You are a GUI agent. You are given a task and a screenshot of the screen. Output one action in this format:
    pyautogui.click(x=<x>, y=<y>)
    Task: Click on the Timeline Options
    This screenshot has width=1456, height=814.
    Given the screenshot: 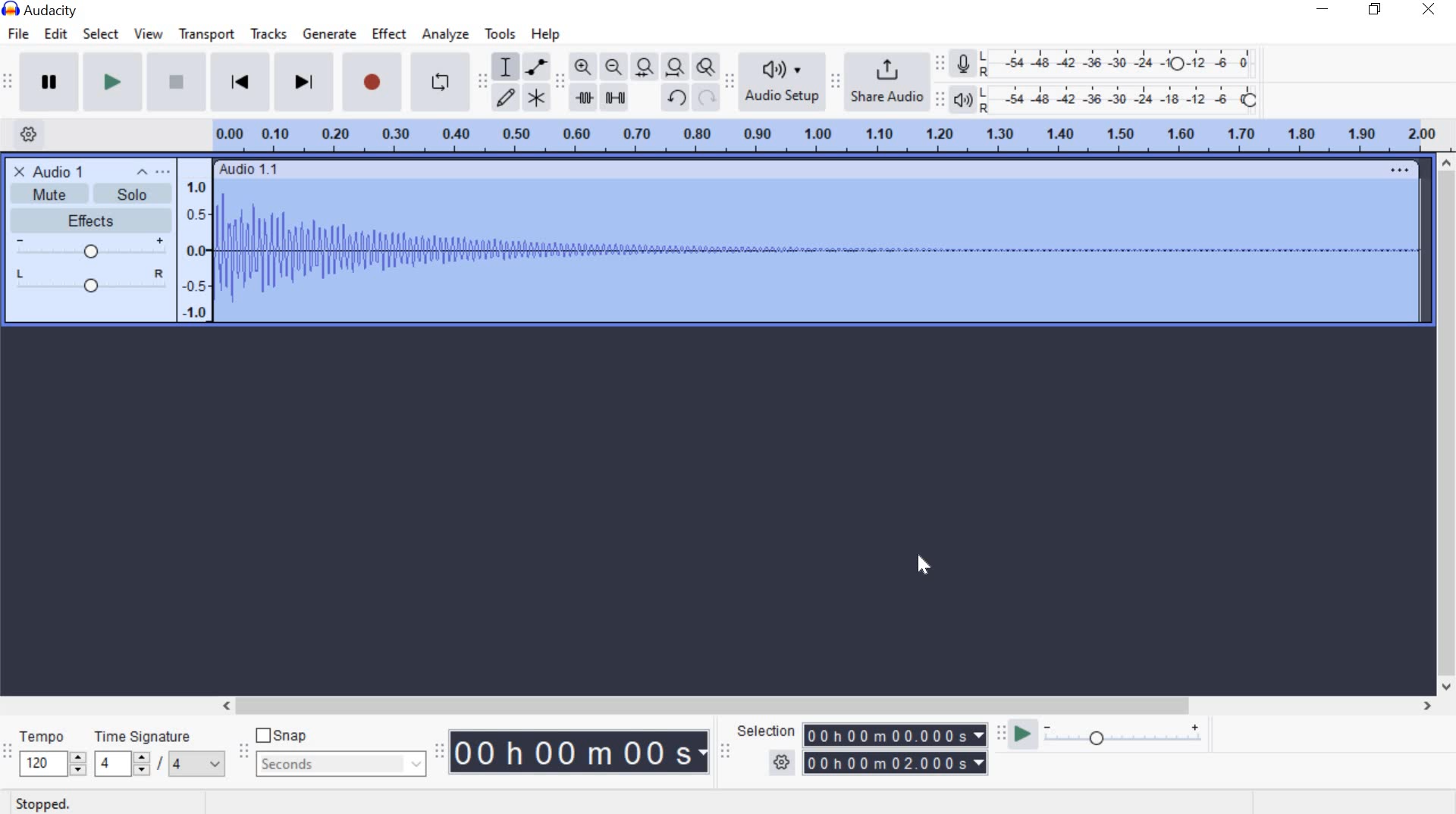 What is the action you would take?
    pyautogui.click(x=33, y=136)
    